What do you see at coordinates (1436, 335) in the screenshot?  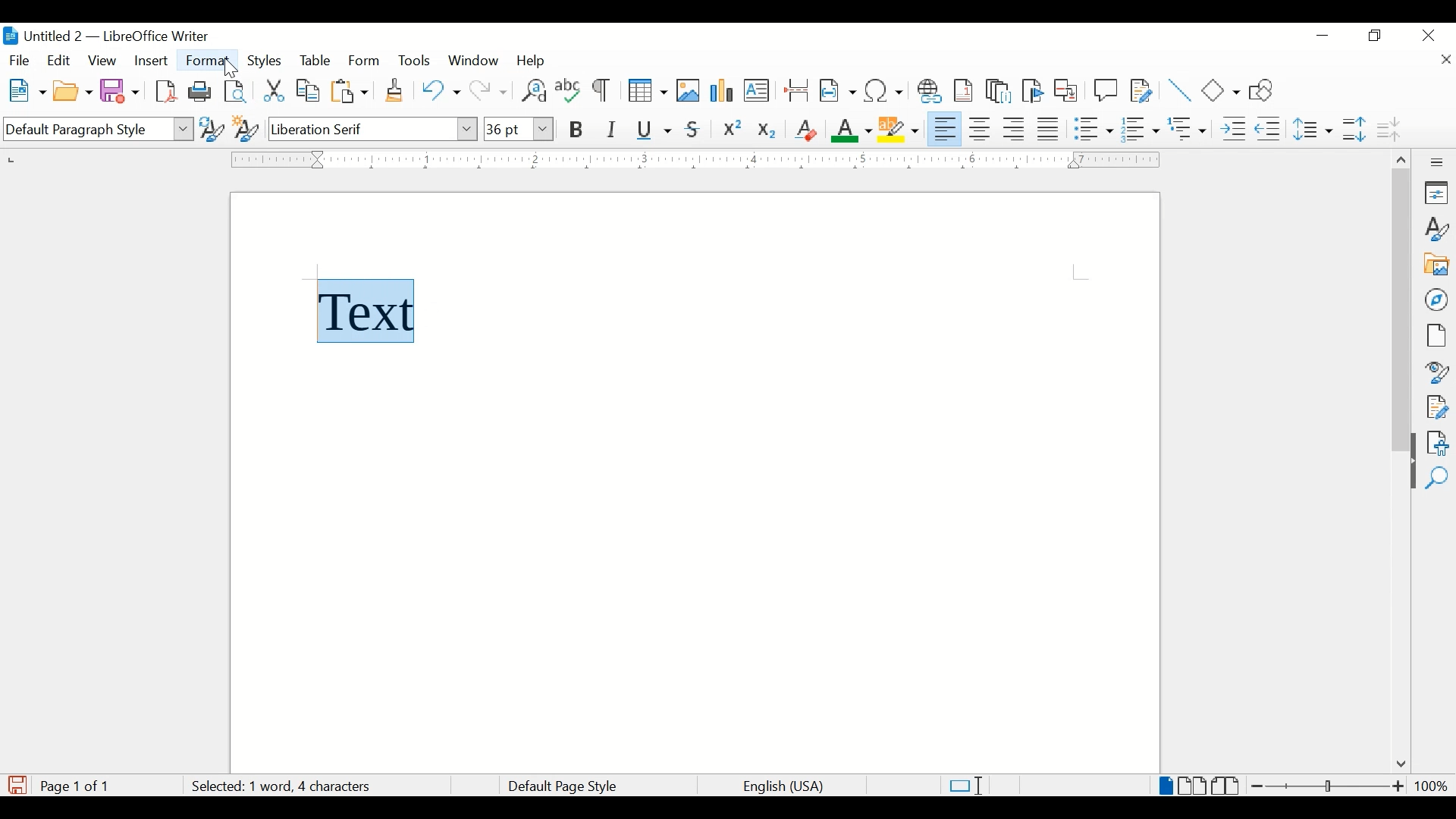 I see `page` at bounding box center [1436, 335].